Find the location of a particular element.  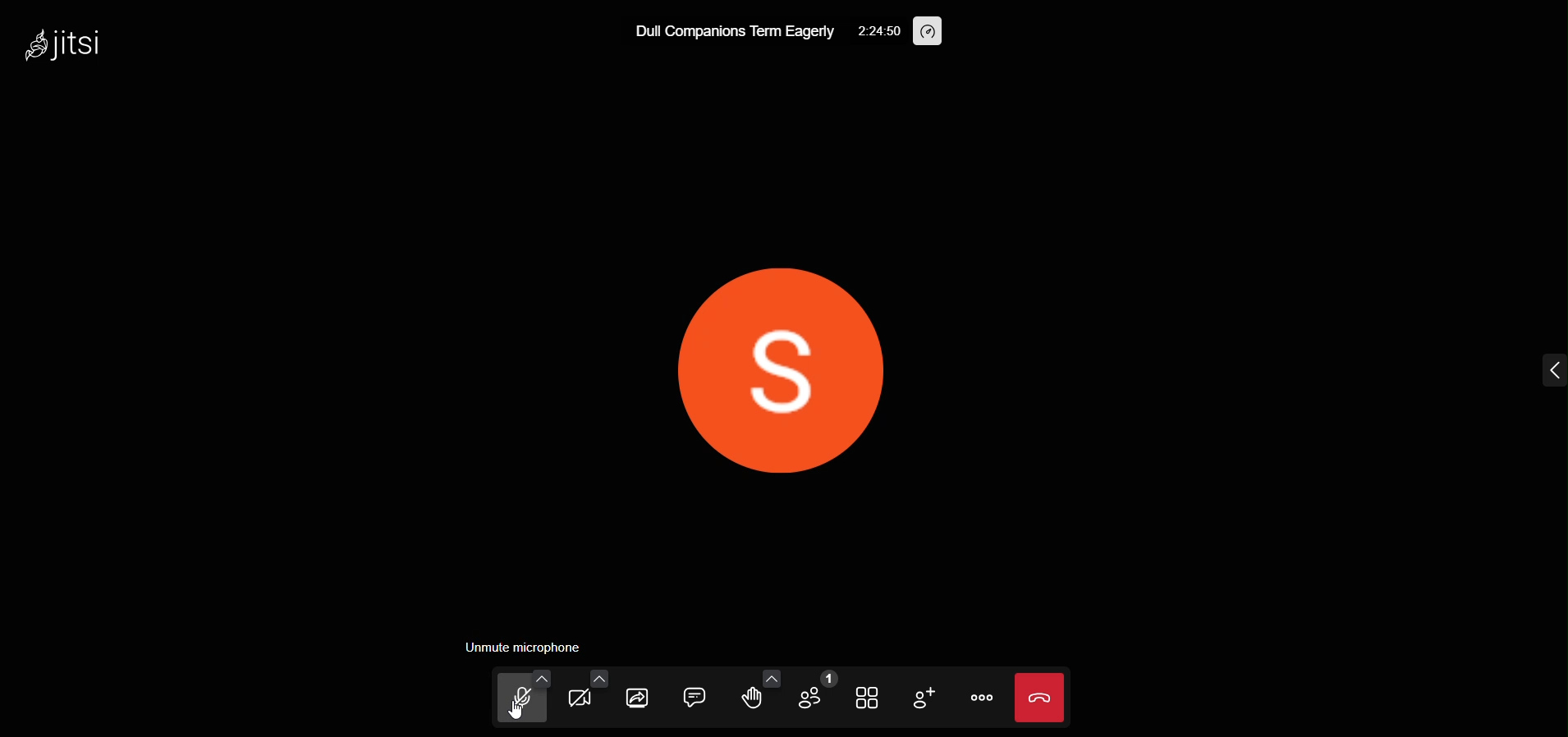

logo is located at coordinates (63, 47).